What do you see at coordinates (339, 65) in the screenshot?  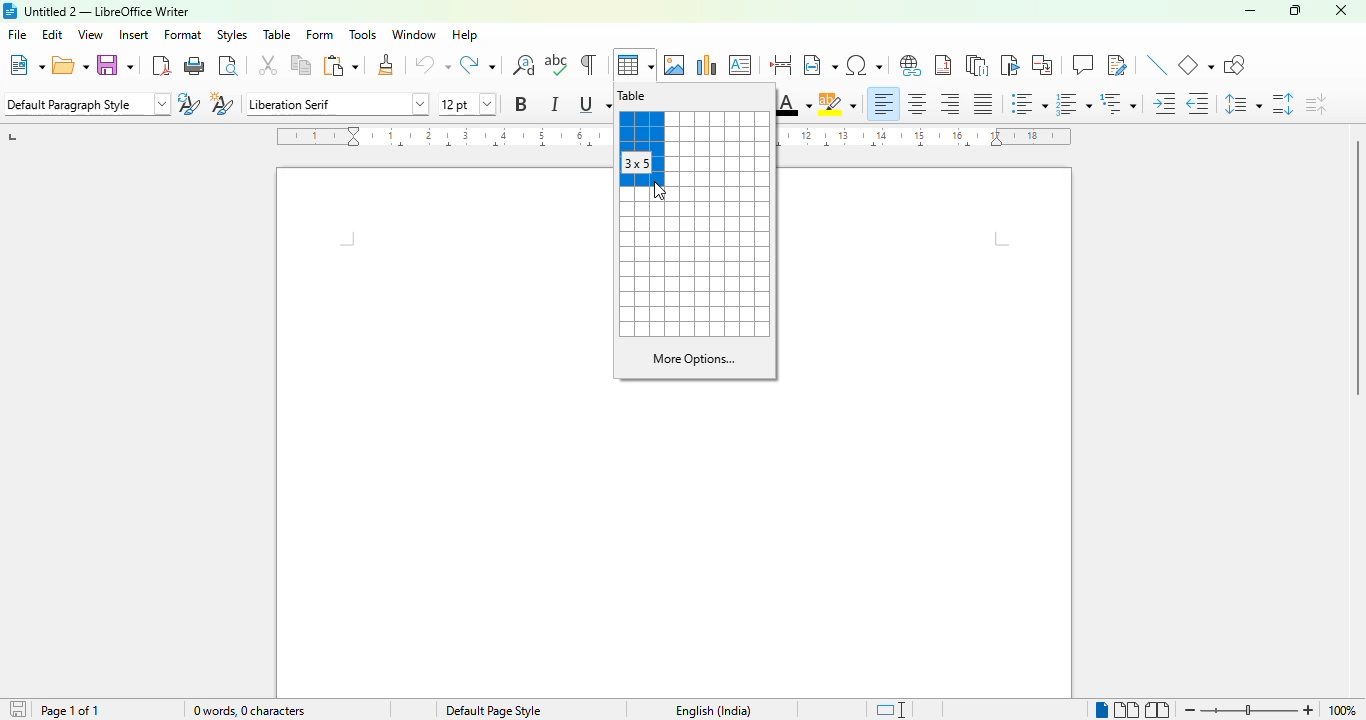 I see `paste` at bounding box center [339, 65].